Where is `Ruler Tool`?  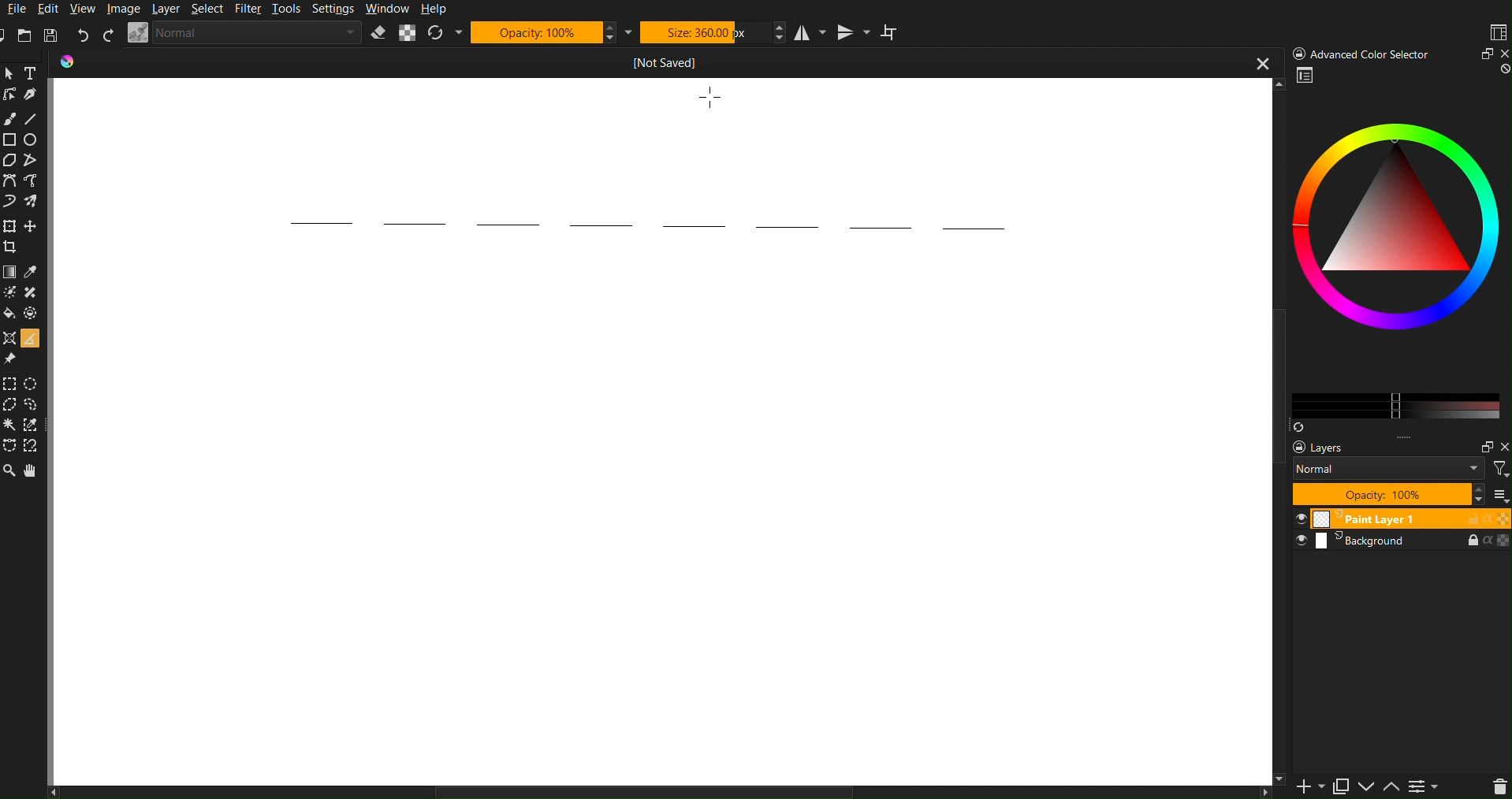
Ruler Tool is located at coordinates (29, 336).